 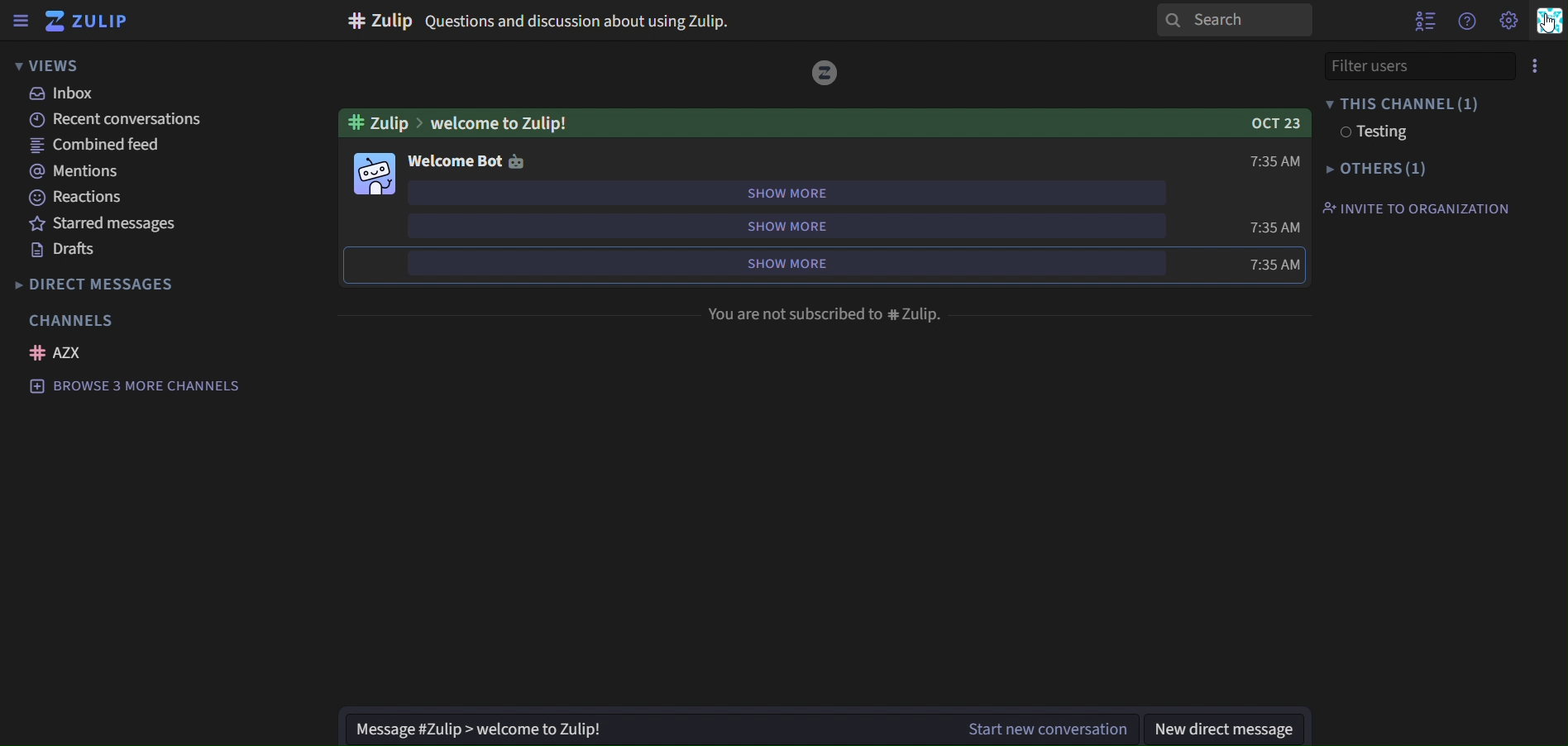 I want to click on #Zulip Questions and discusion about Zulip, so click(x=546, y=19).